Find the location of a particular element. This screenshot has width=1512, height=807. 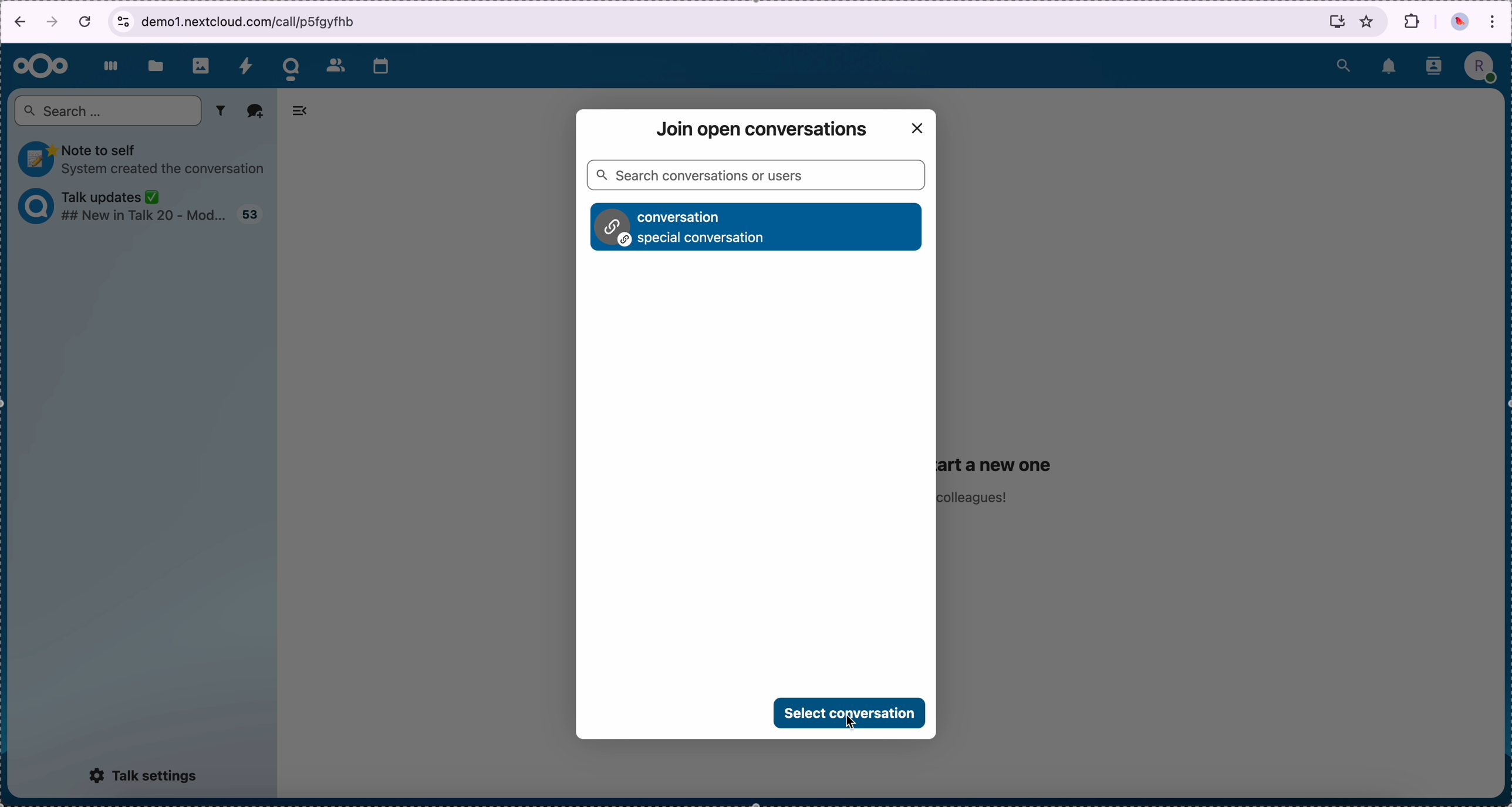

profile picture is located at coordinates (1459, 22).